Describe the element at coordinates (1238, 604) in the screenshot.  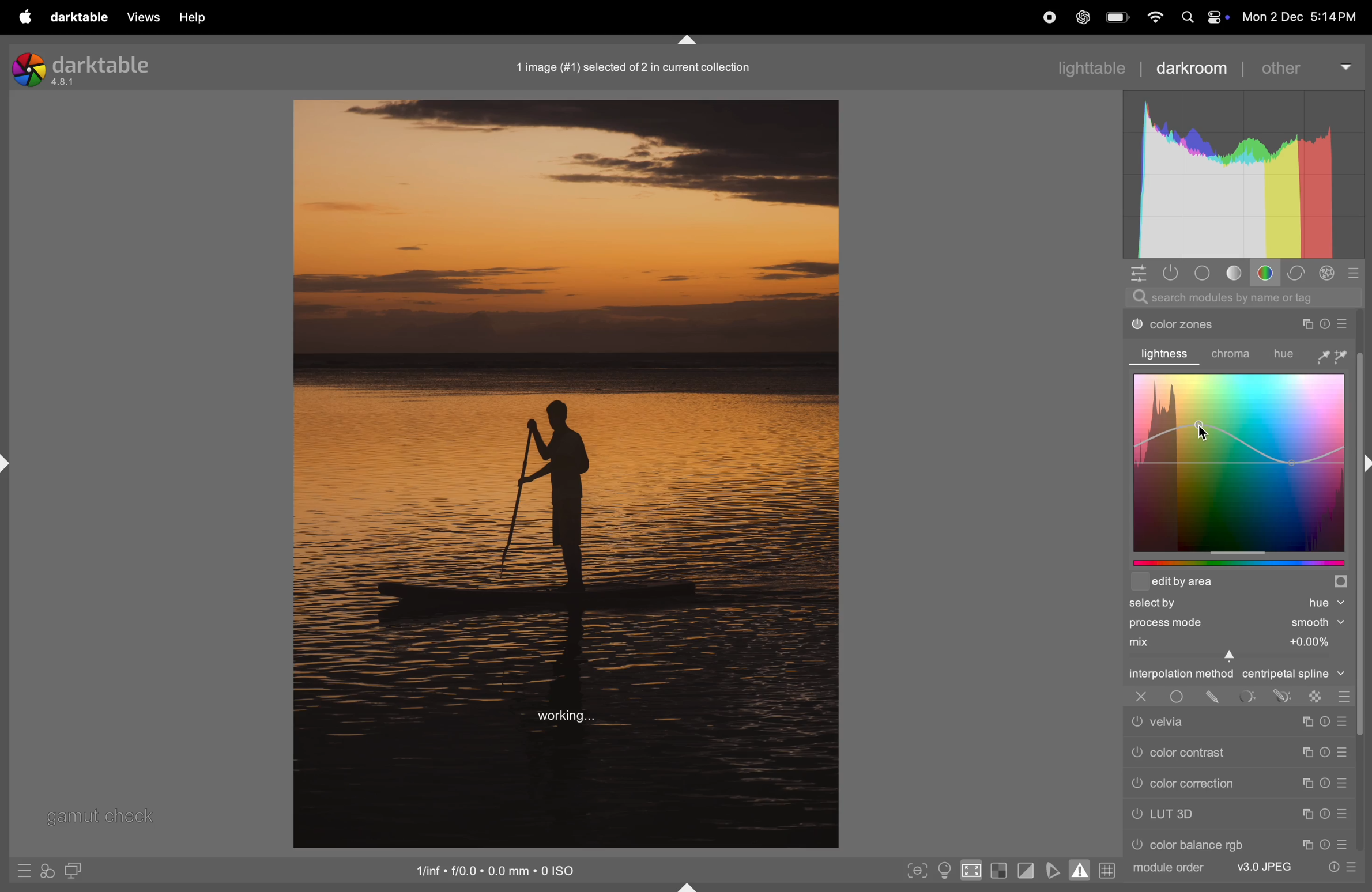
I see `selected hue` at that location.